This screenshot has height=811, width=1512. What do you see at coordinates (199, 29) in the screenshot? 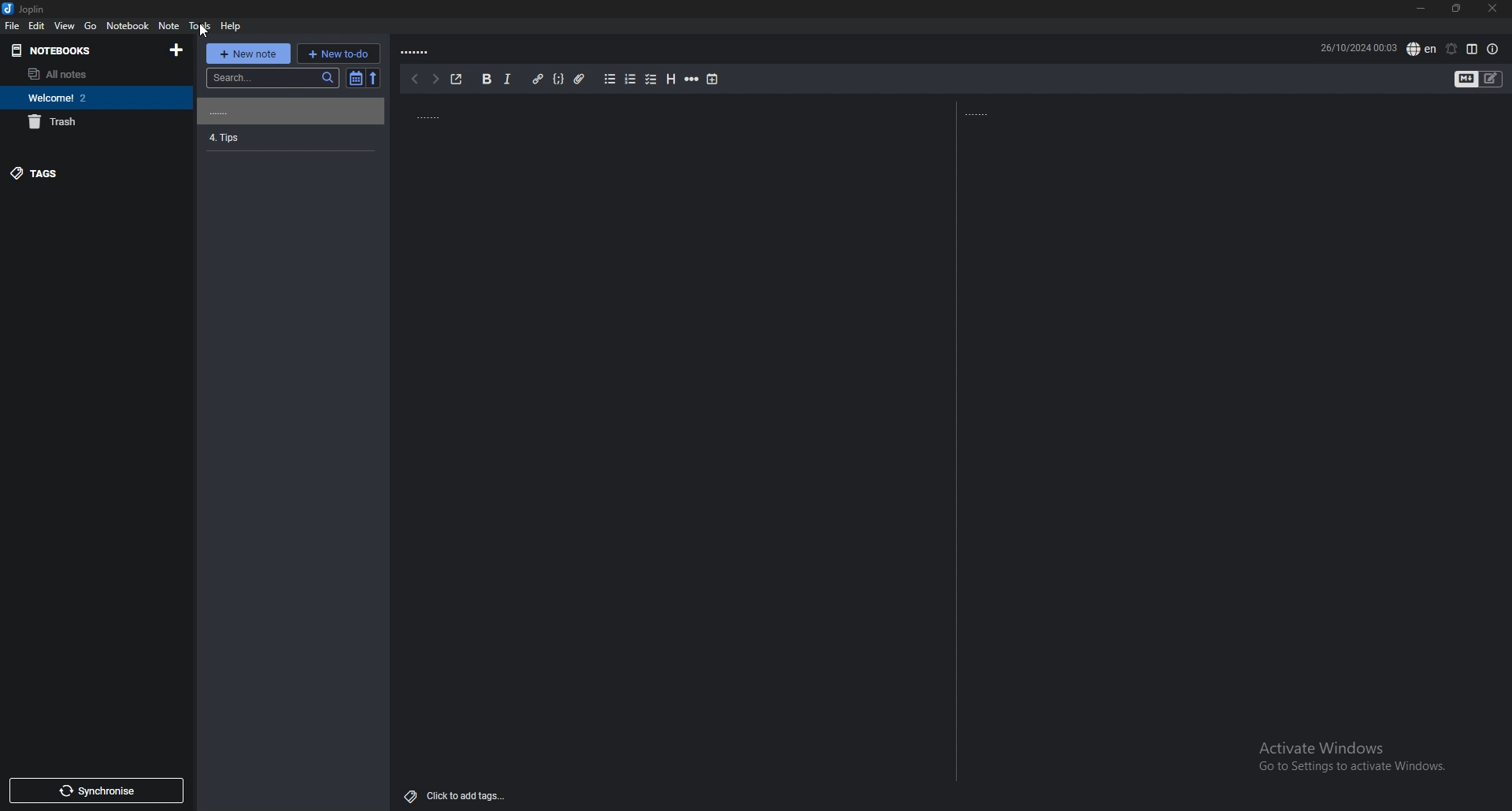
I see `` at bounding box center [199, 29].